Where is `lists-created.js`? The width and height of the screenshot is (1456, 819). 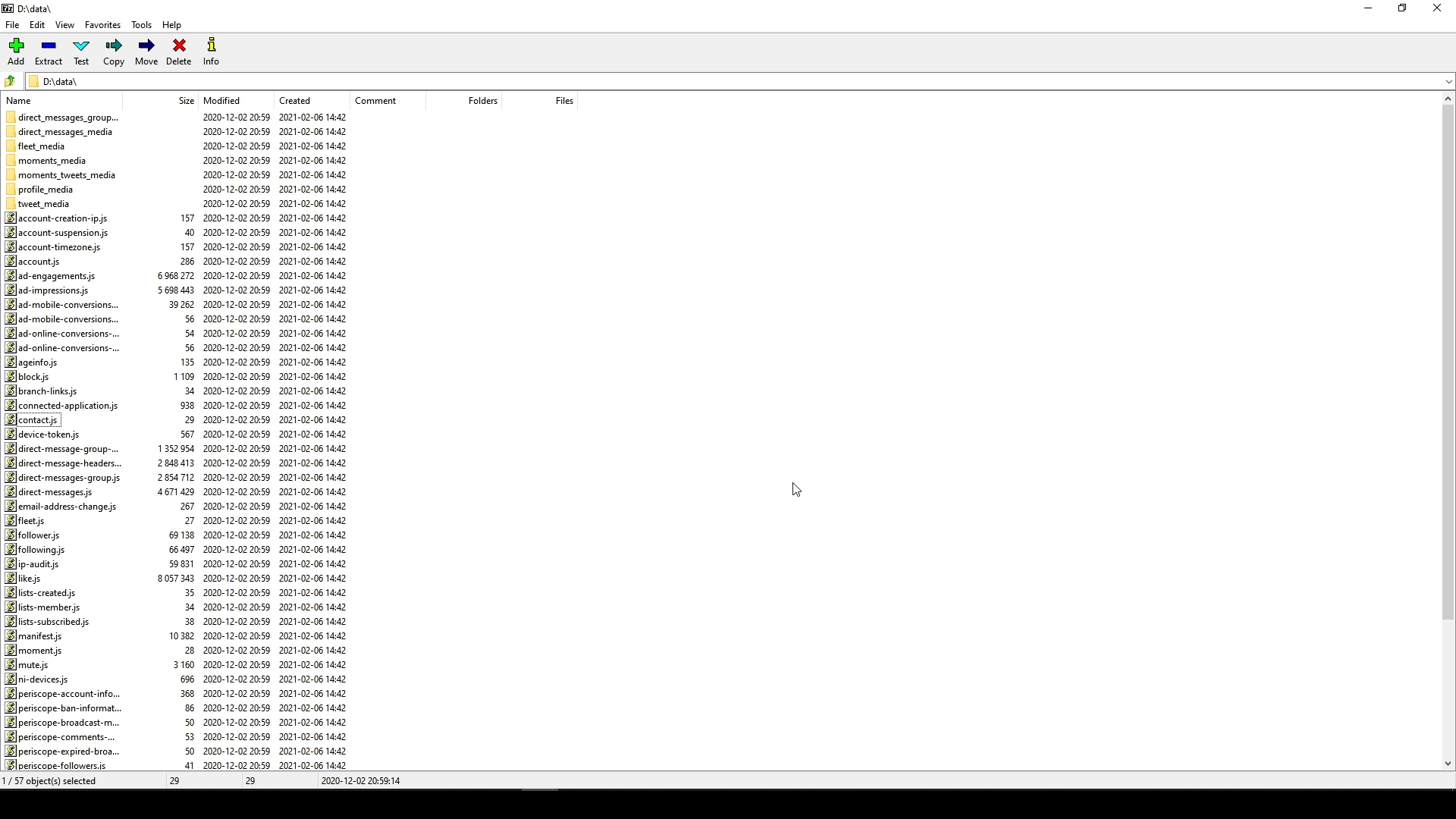 lists-created.js is located at coordinates (45, 592).